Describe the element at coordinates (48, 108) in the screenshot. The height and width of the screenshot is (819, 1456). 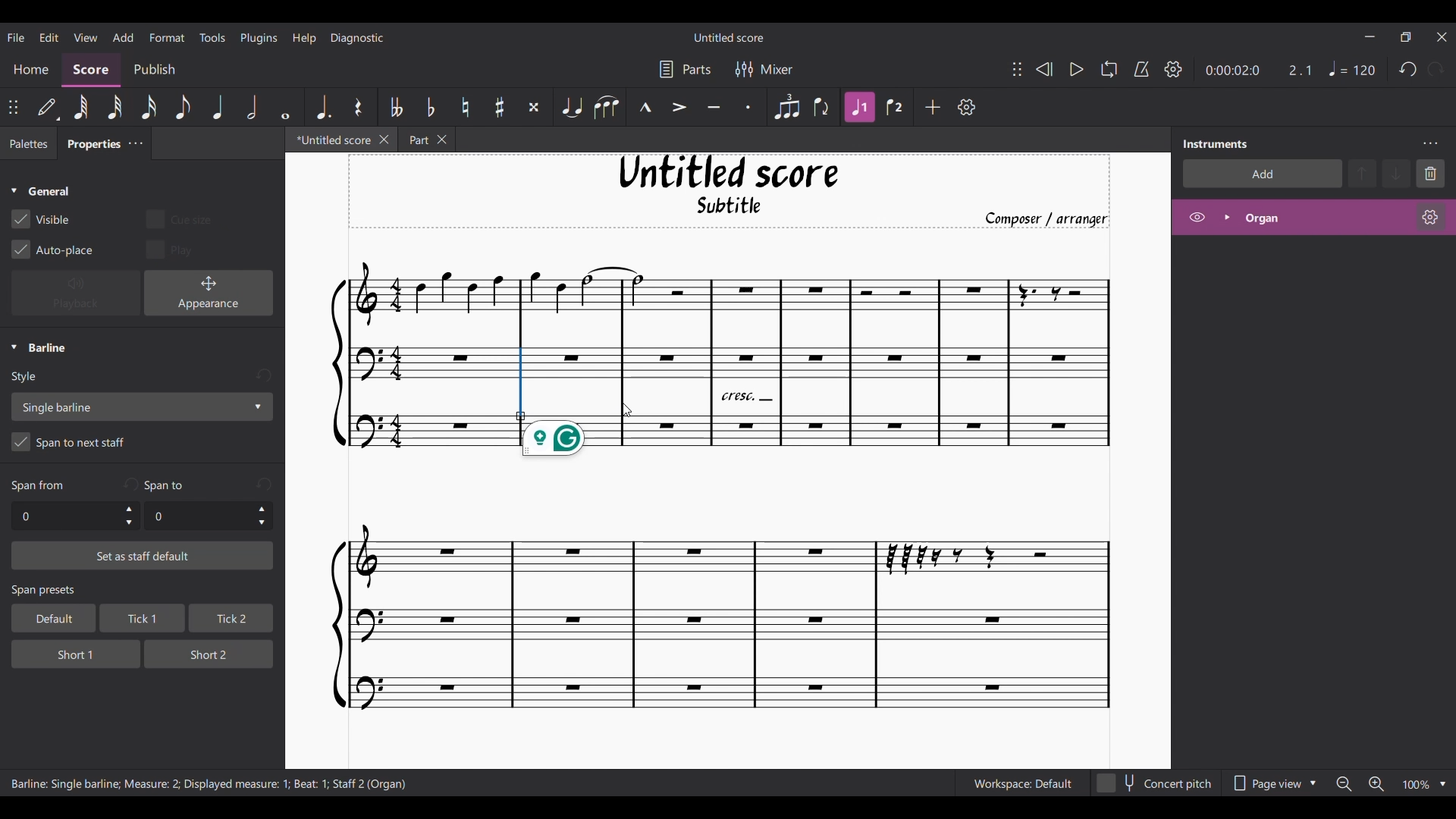
I see `Default` at that location.